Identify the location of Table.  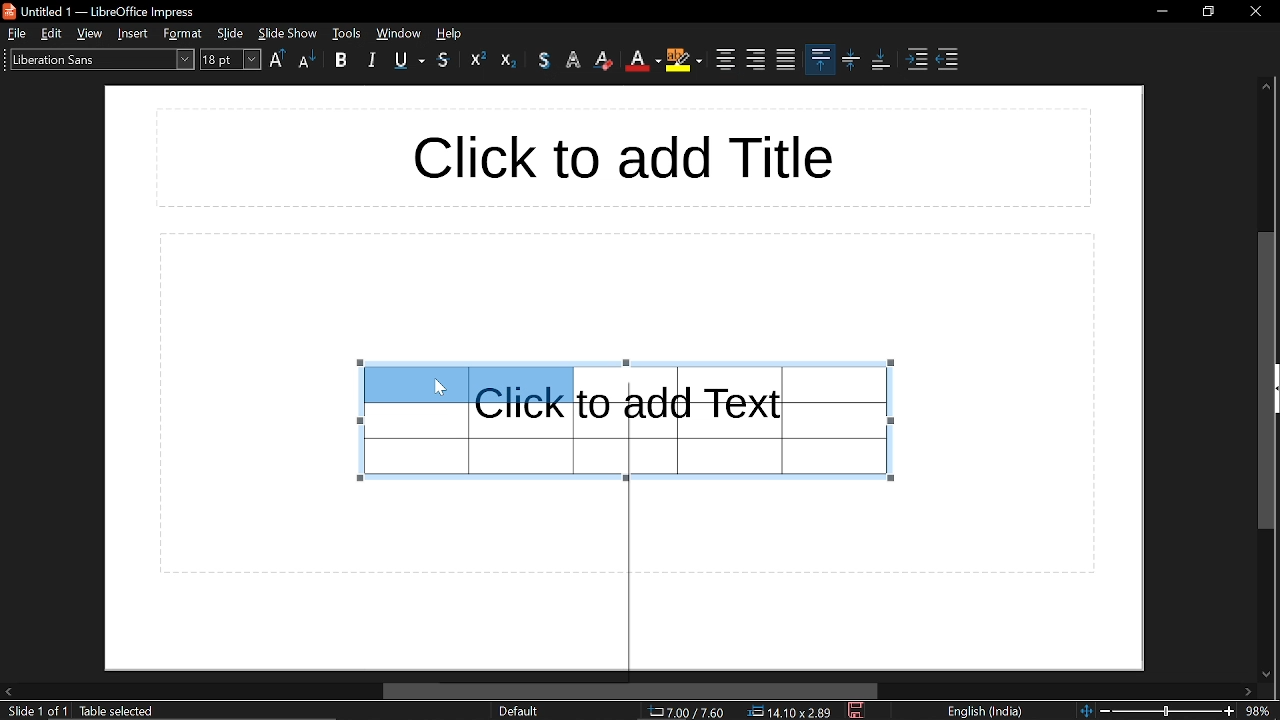
(468, 446).